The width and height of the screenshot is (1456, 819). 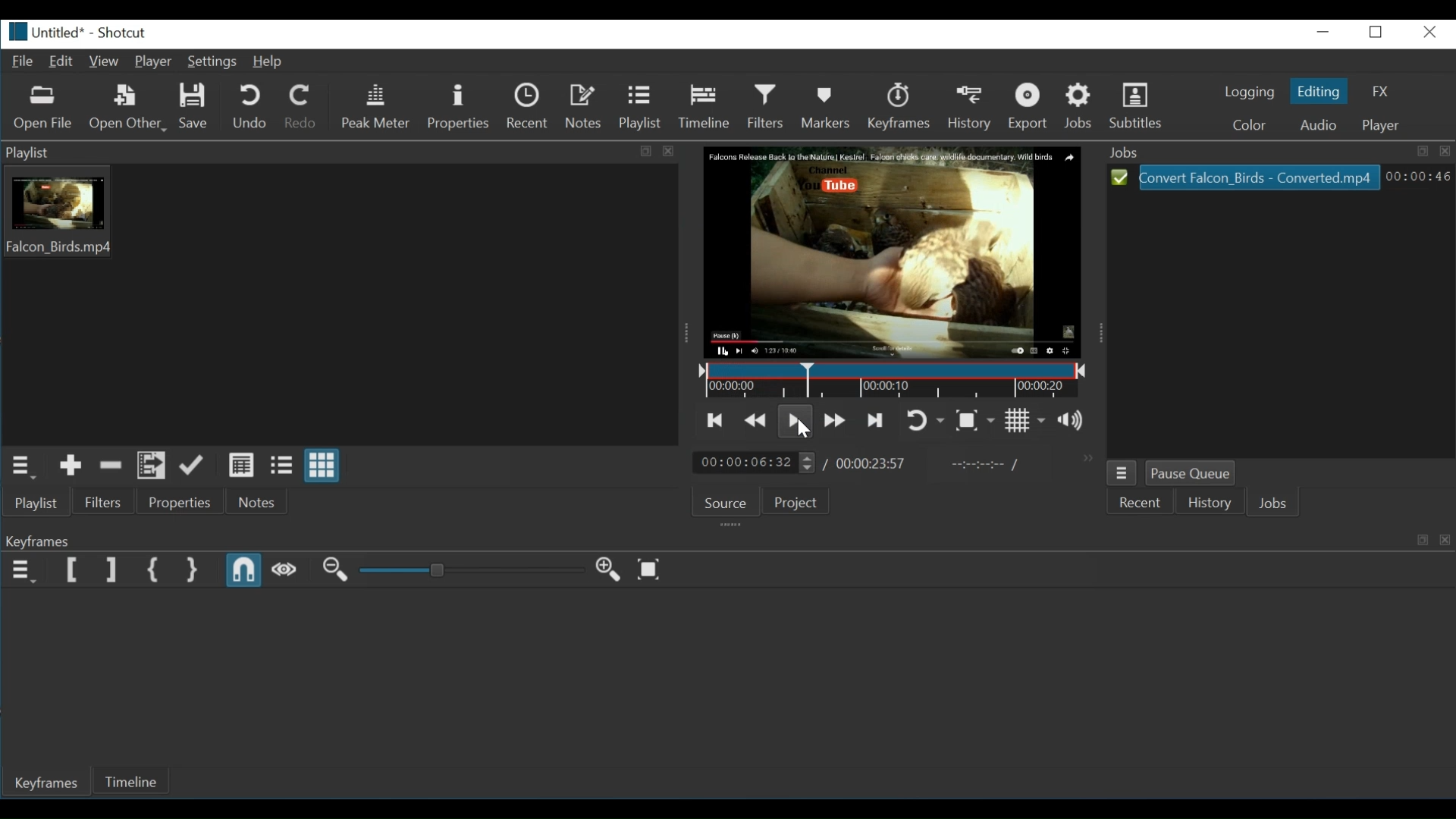 I want to click on Skip to the previous point, so click(x=715, y=420).